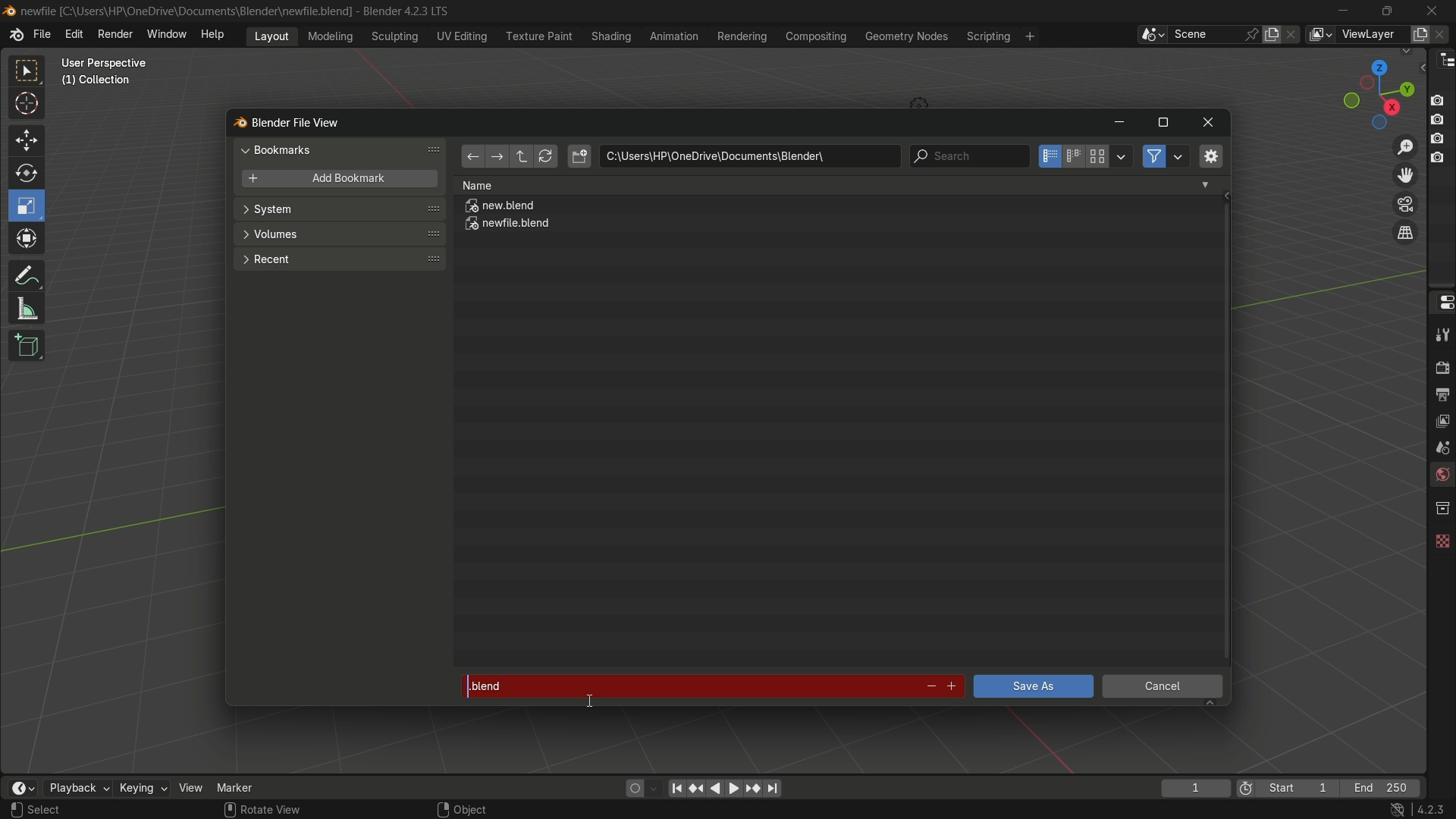  Describe the element at coordinates (1163, 689) in the screenshot. I see `cancel` at that location.